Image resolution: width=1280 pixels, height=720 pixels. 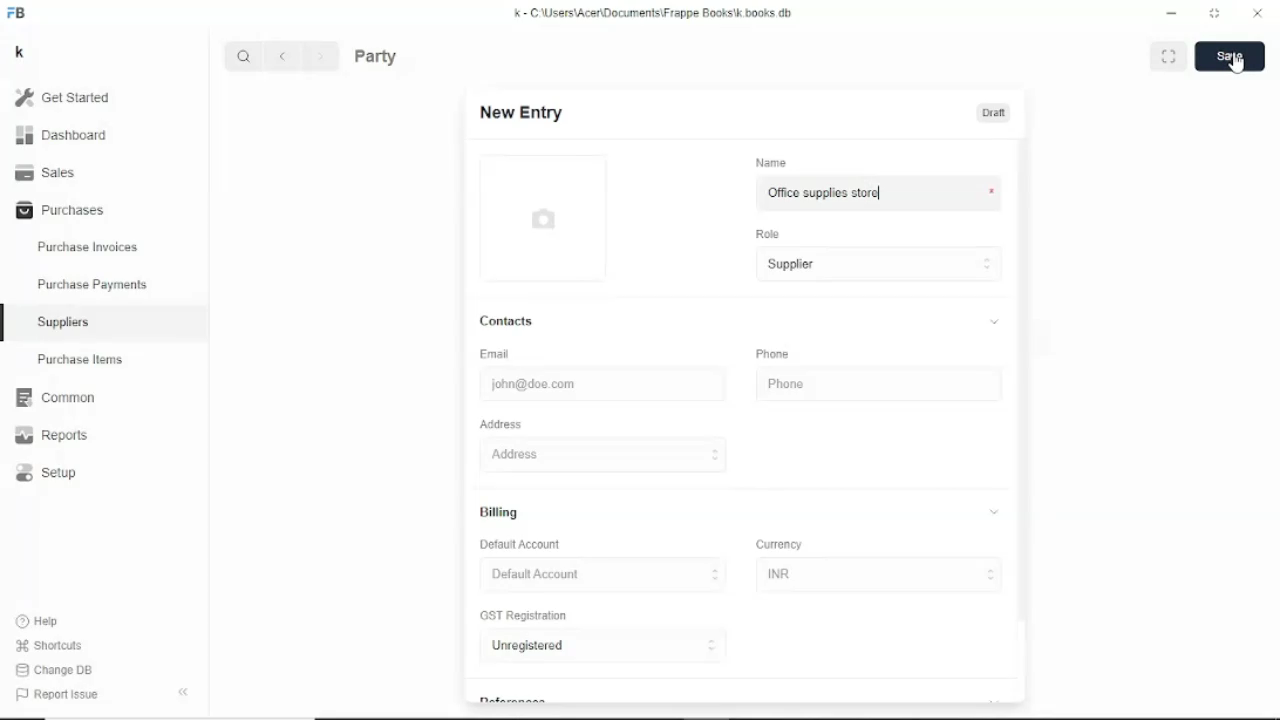 What do you see at coordinates (1171, 13) in the screenshot?
I see `Minimize` at bounding box center [1171, 13].